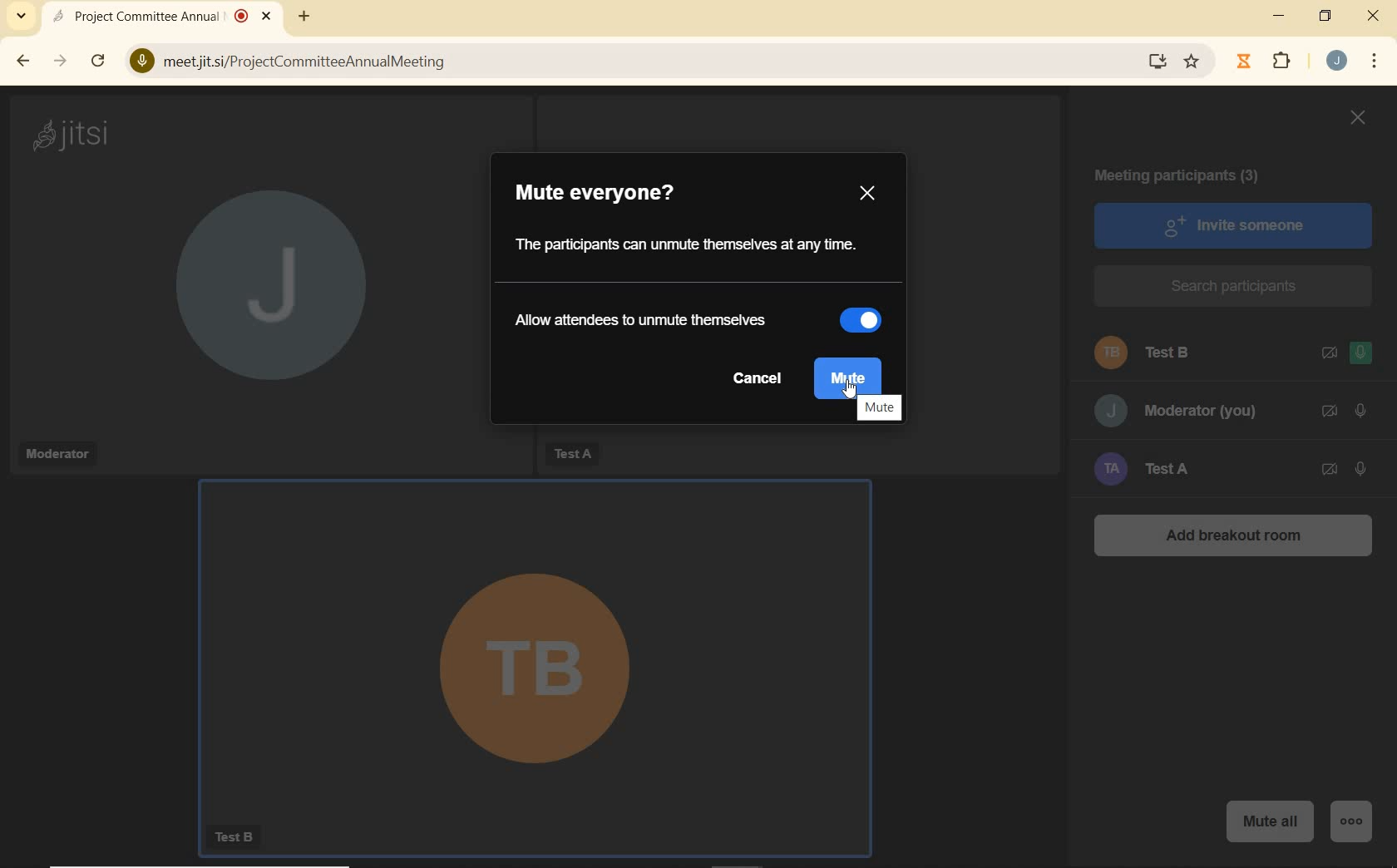 Image resolution: width=1397 pixels, height=868 pixels. Describe the element at coordinates (1178, 412) in the screenshot. I see `PARTICIPANT: MODERATOR` at that location.